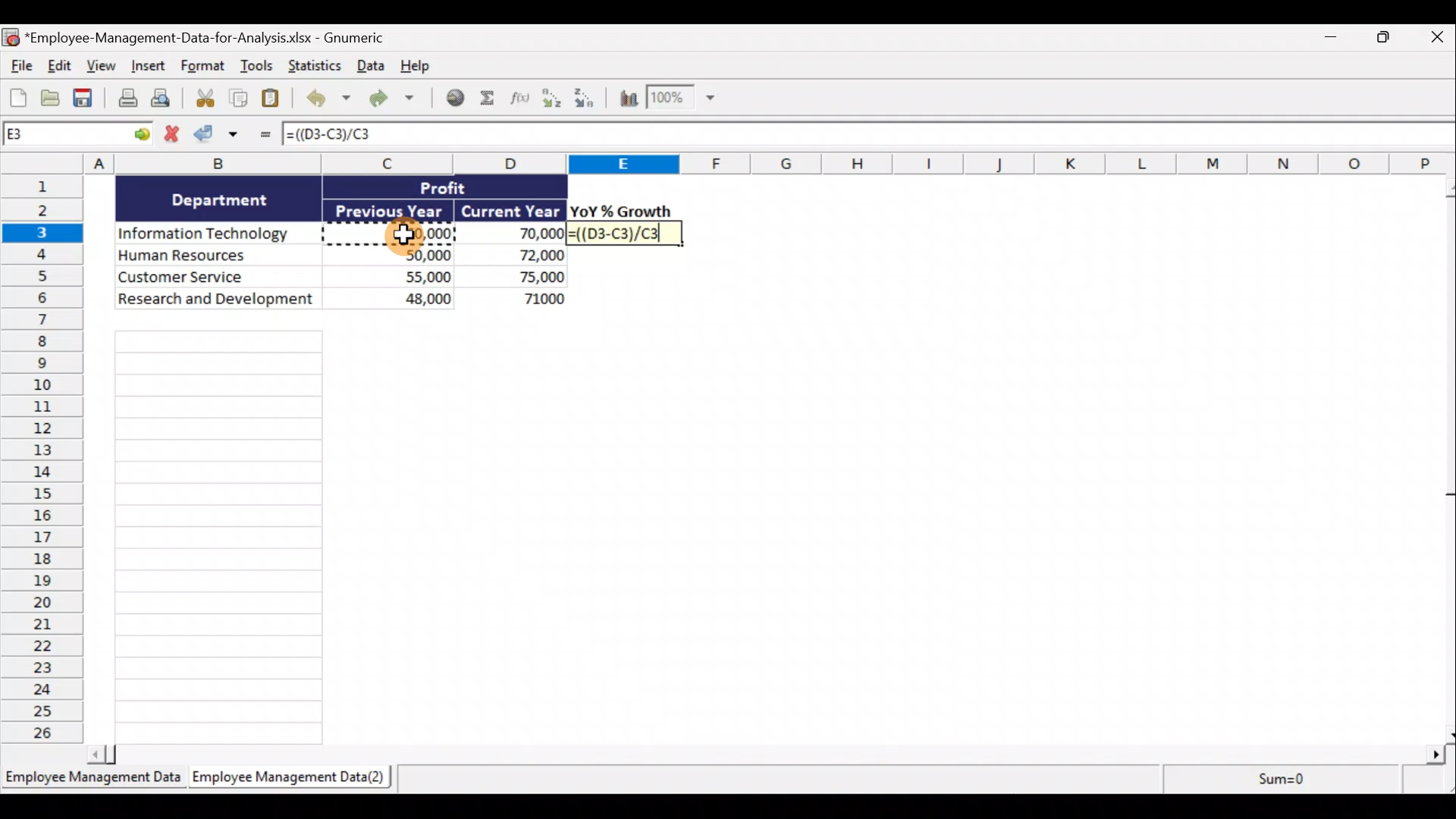 This screenshot has width=1456, height=819. I want to click on =((D3-C3)/C3, so click(626, 235).